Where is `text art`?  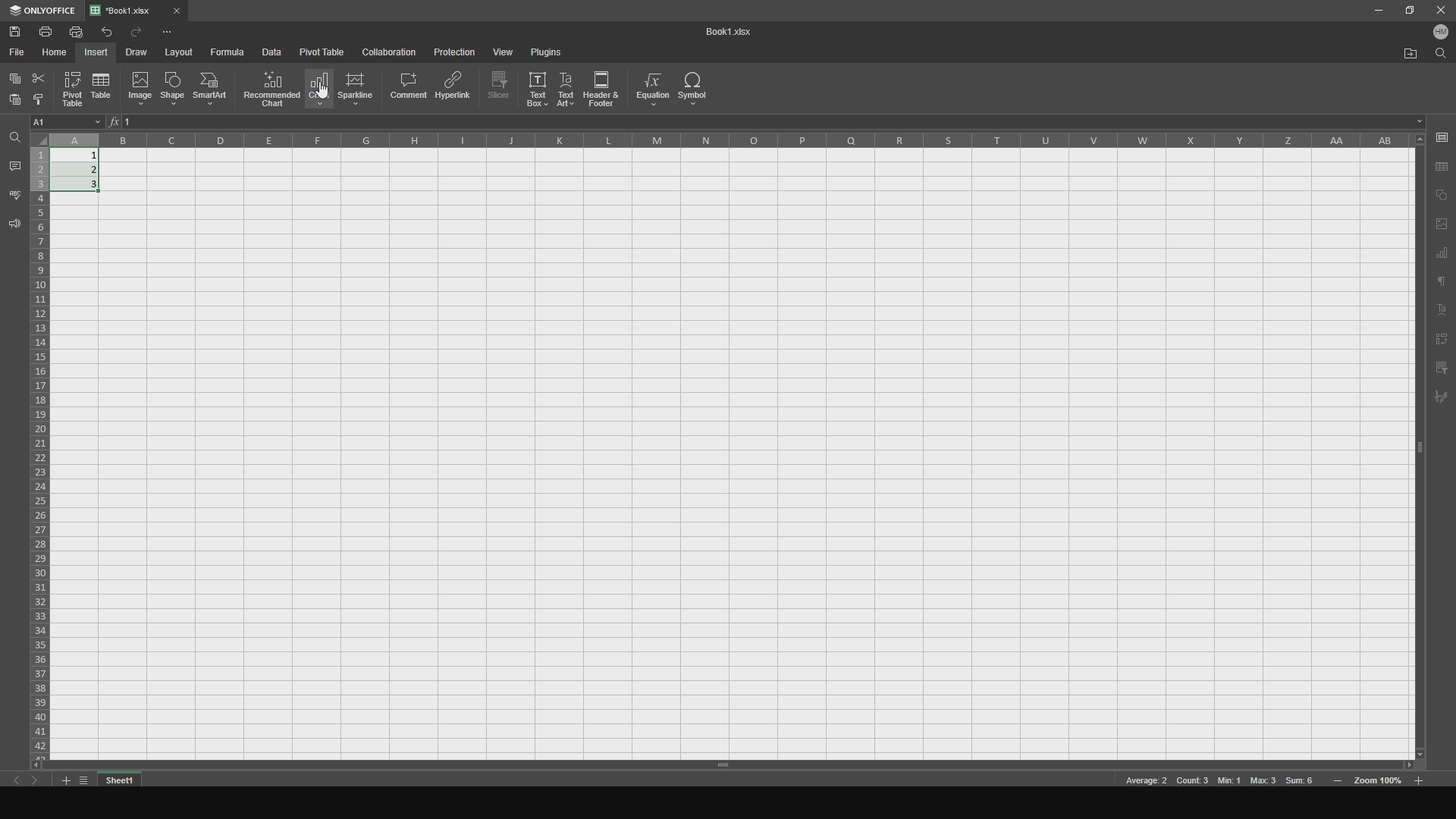 text art is located at coordinates (1443, 312).